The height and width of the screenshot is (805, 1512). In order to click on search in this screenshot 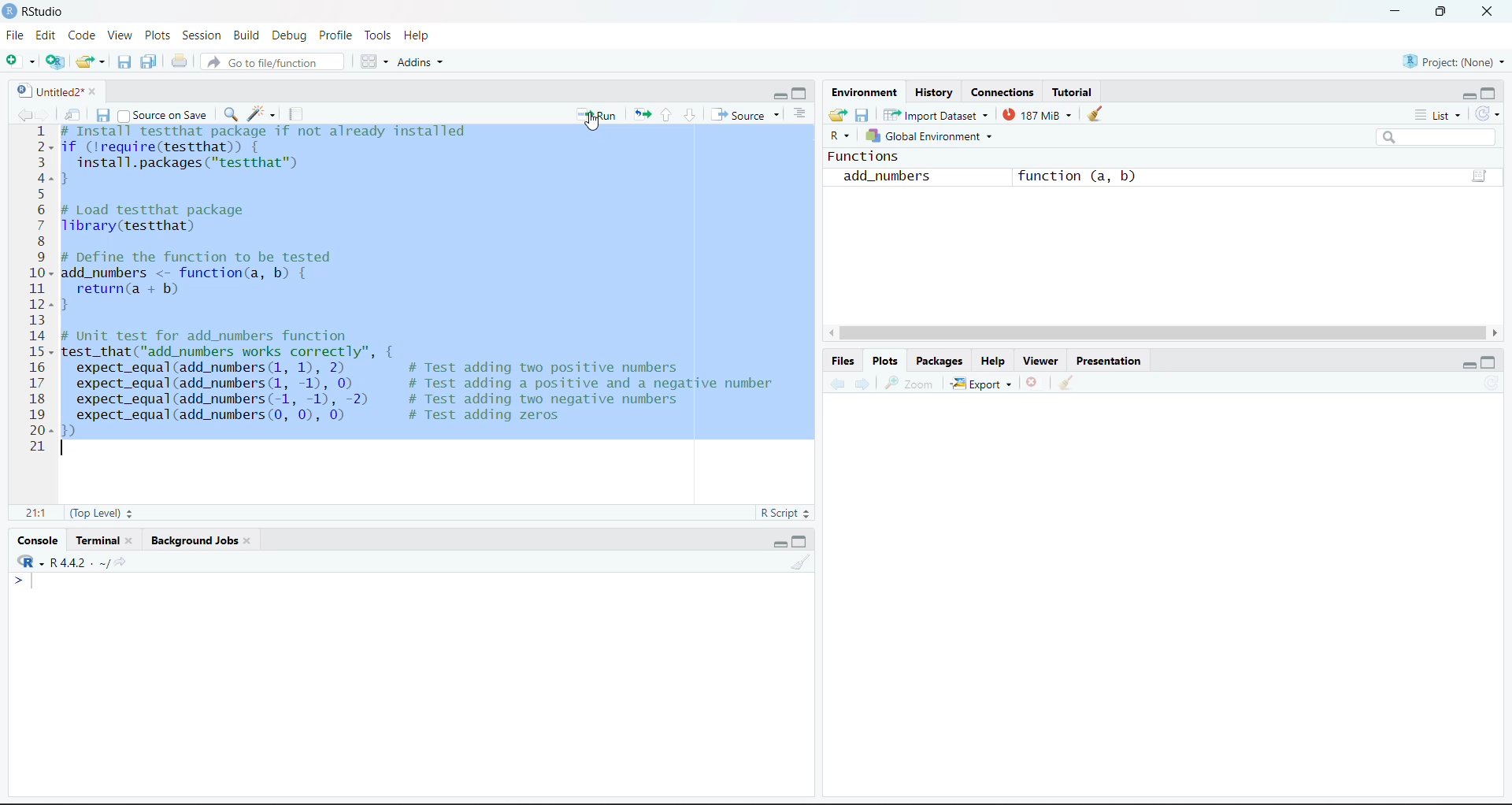, I will do `click(1437, 138)`.